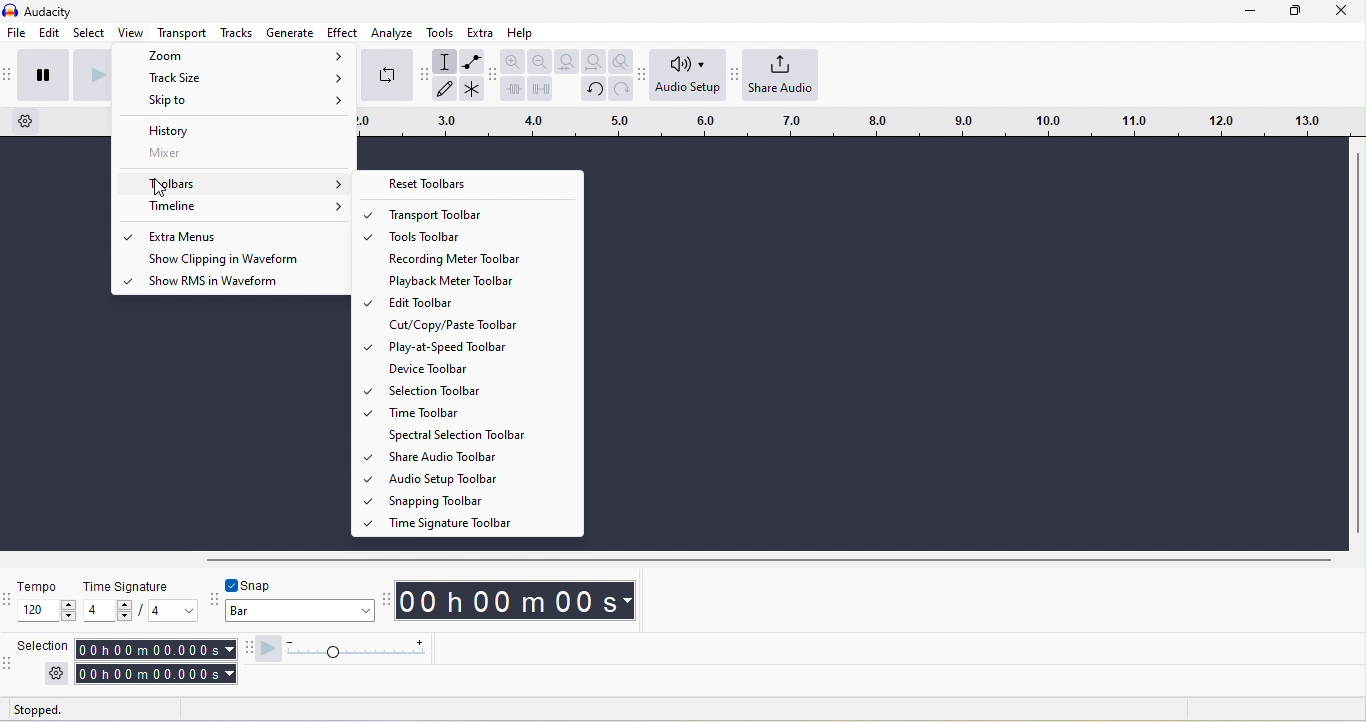  I want to click on zoom in, so click(513, 60).